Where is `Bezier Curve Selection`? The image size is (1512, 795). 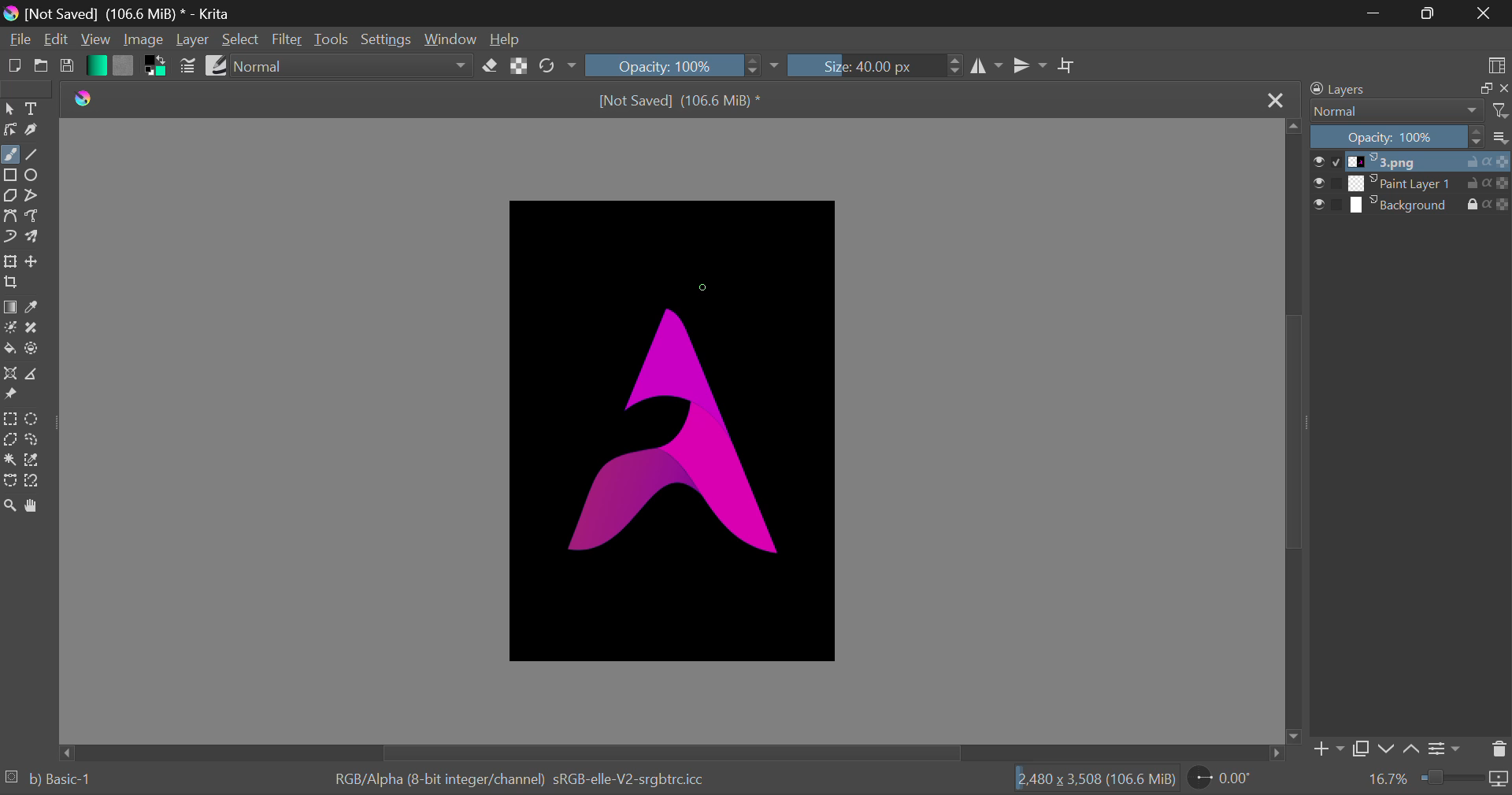 Bezier Curve Selection is located at coordinates (10, 480).